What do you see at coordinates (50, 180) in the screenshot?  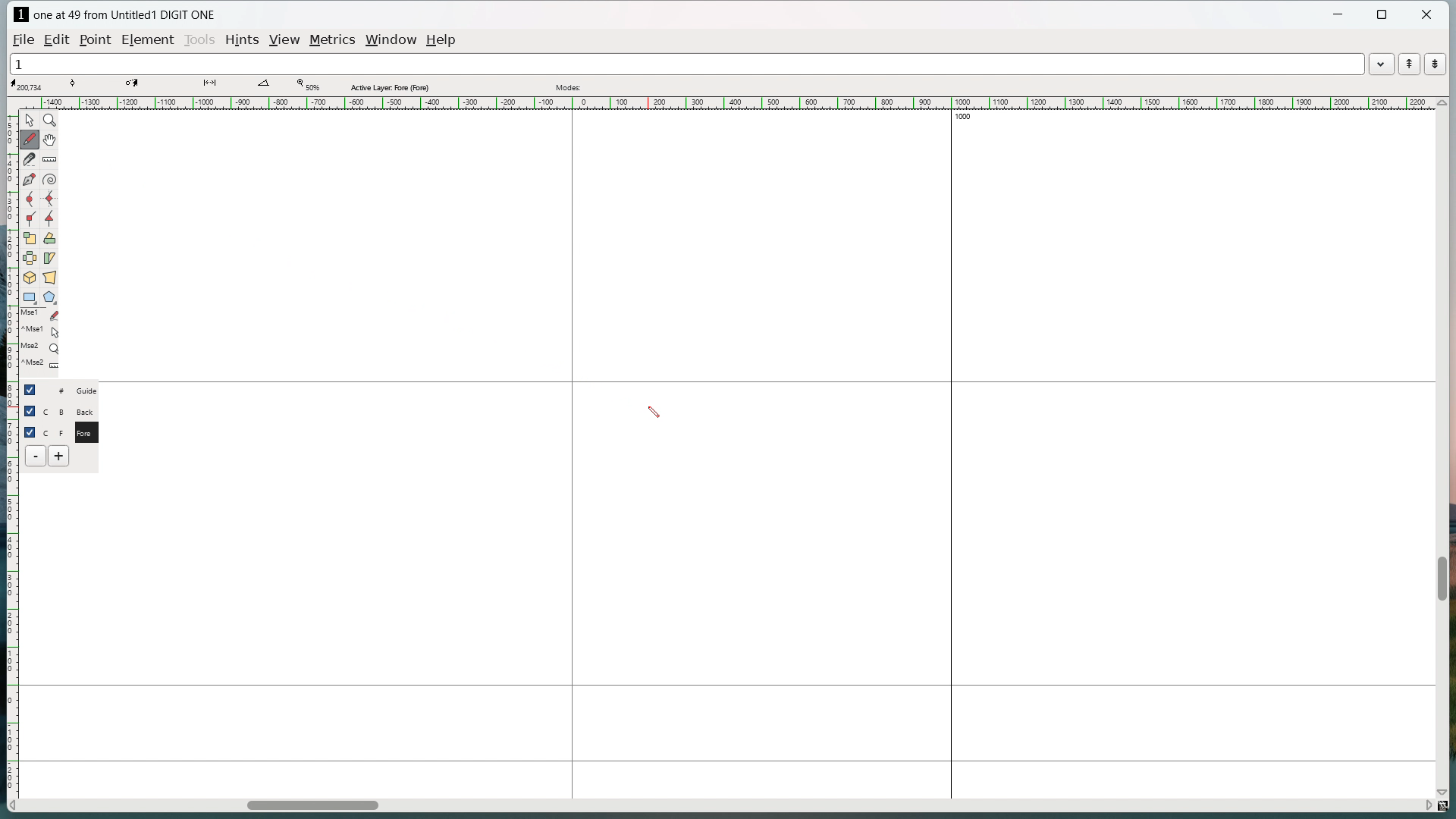 I see `toggle spiral` at bounding box center [50, 180].